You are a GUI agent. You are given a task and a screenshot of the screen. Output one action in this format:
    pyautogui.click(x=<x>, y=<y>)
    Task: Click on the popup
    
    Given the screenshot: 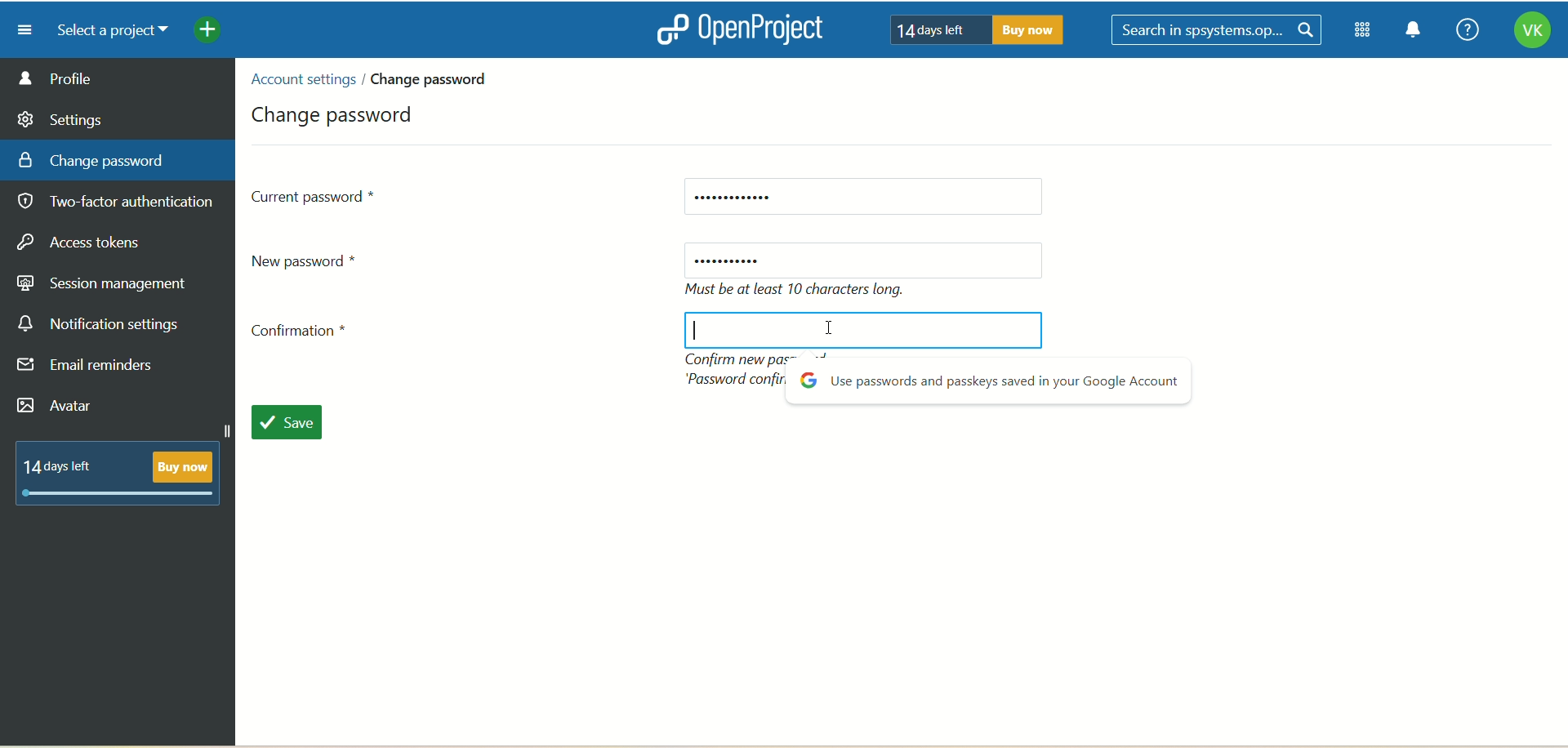 What is the action you would take?
    pyautogui.click(x=991, y=380)
    